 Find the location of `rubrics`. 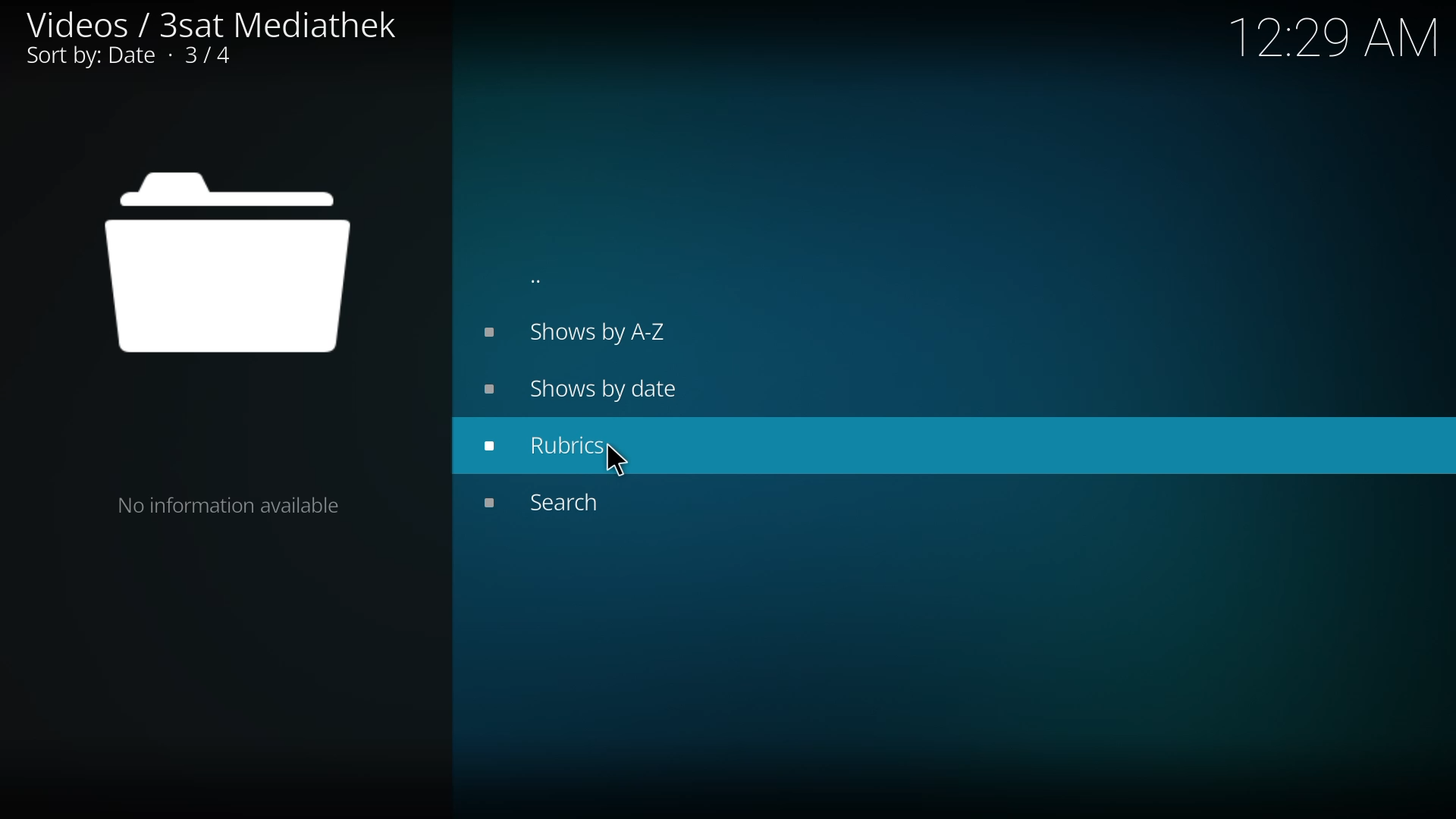

rubrics is located at coordinates (557, 444).